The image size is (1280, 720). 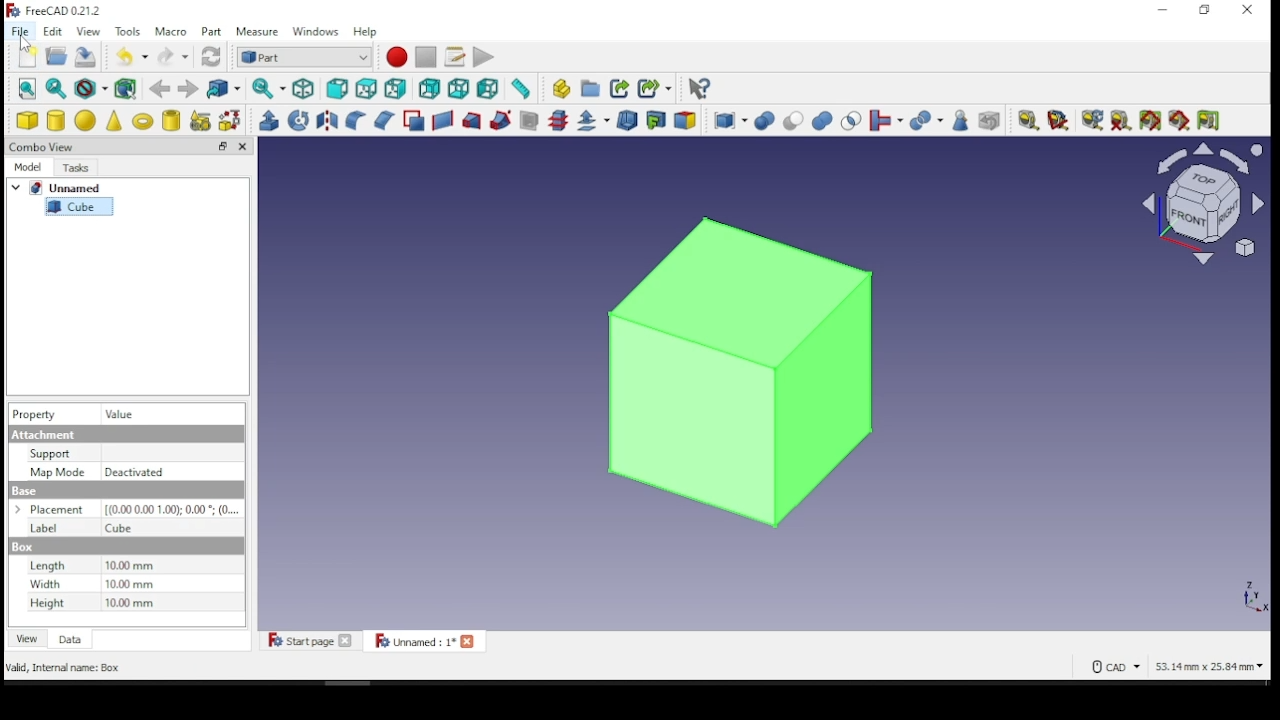 I want to click on check geometry, so click(x=962, y=121).